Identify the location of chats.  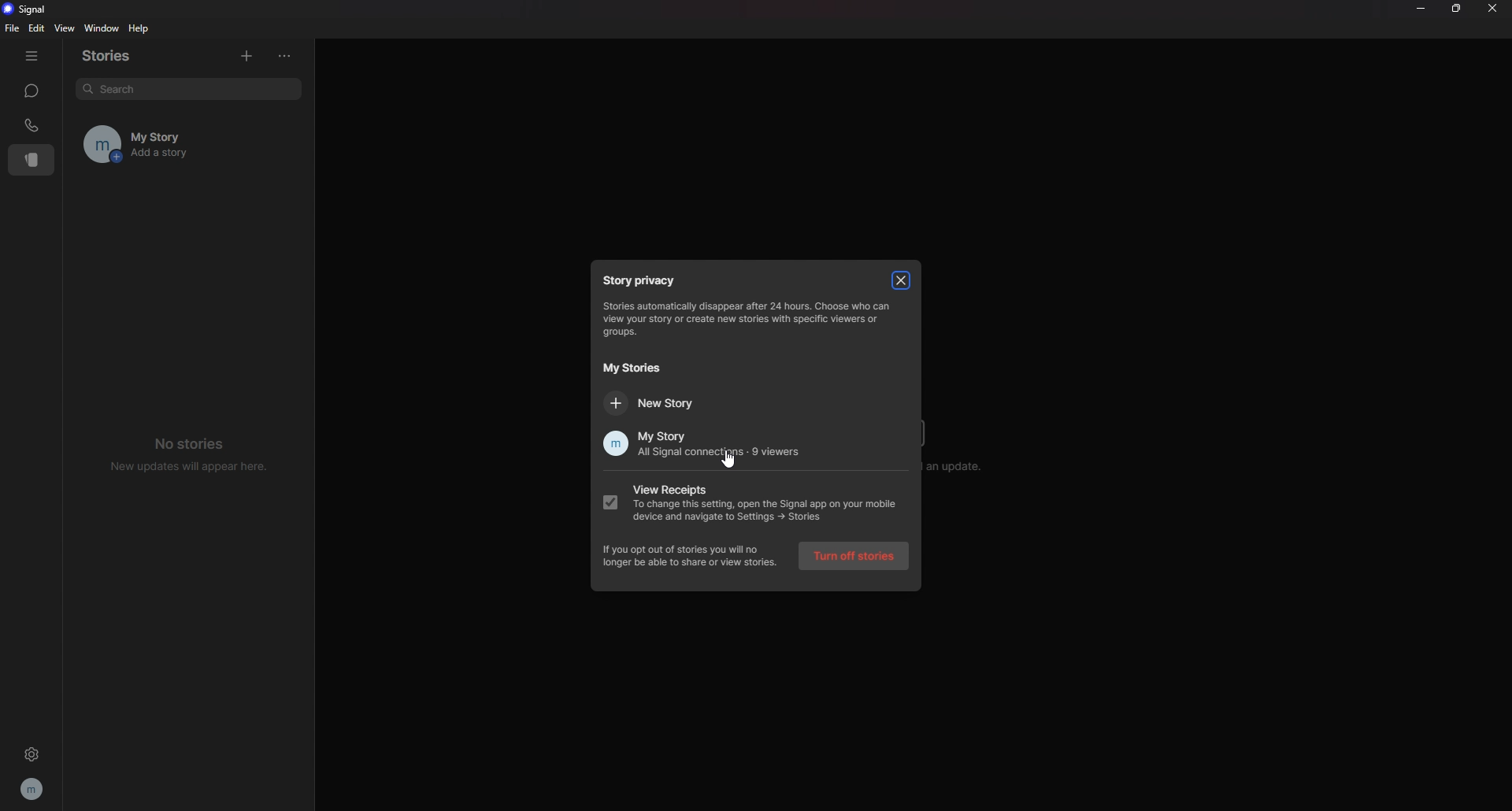
(31, 91).